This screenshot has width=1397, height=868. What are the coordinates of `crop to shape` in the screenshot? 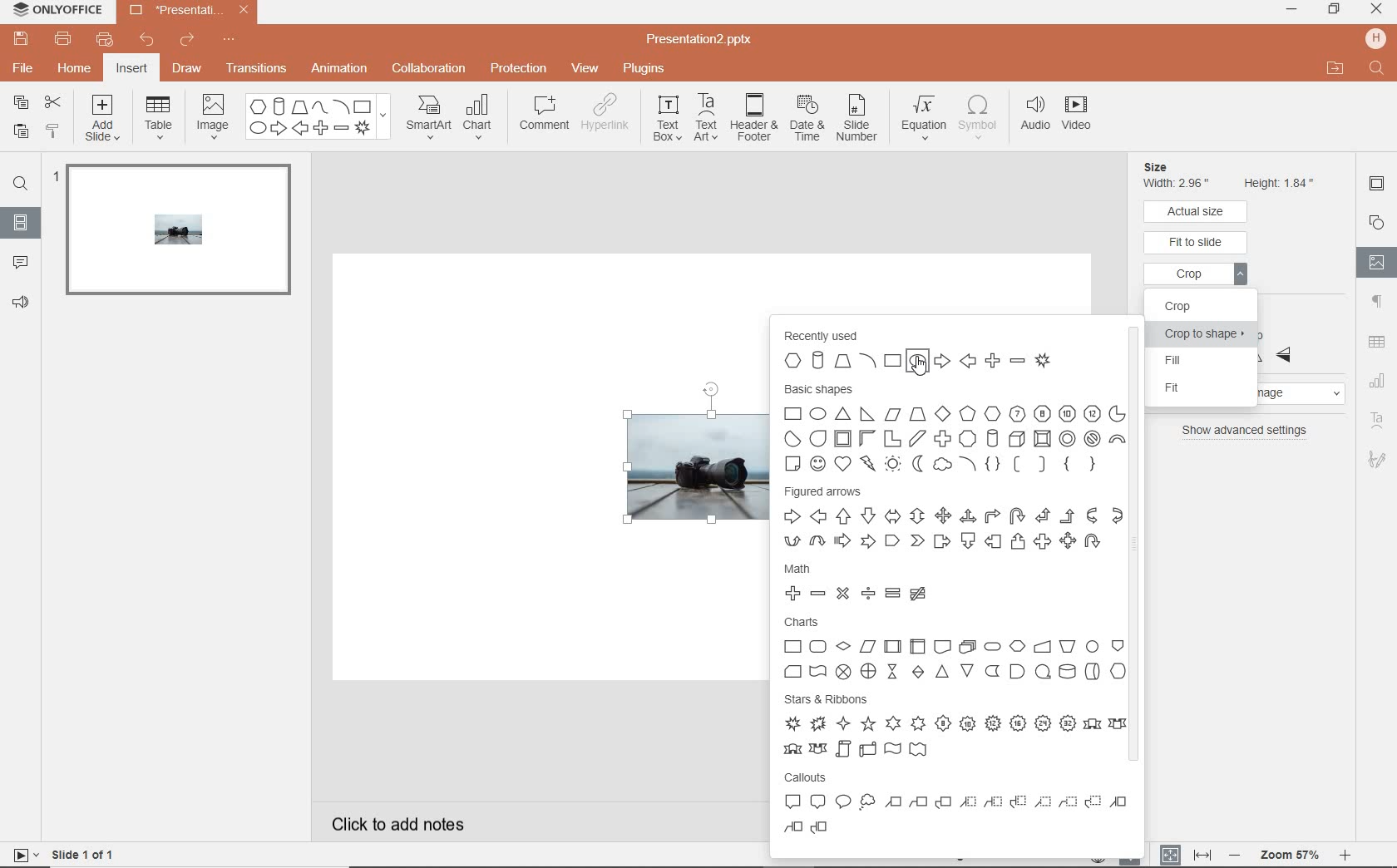 It's located at (1204, 336).